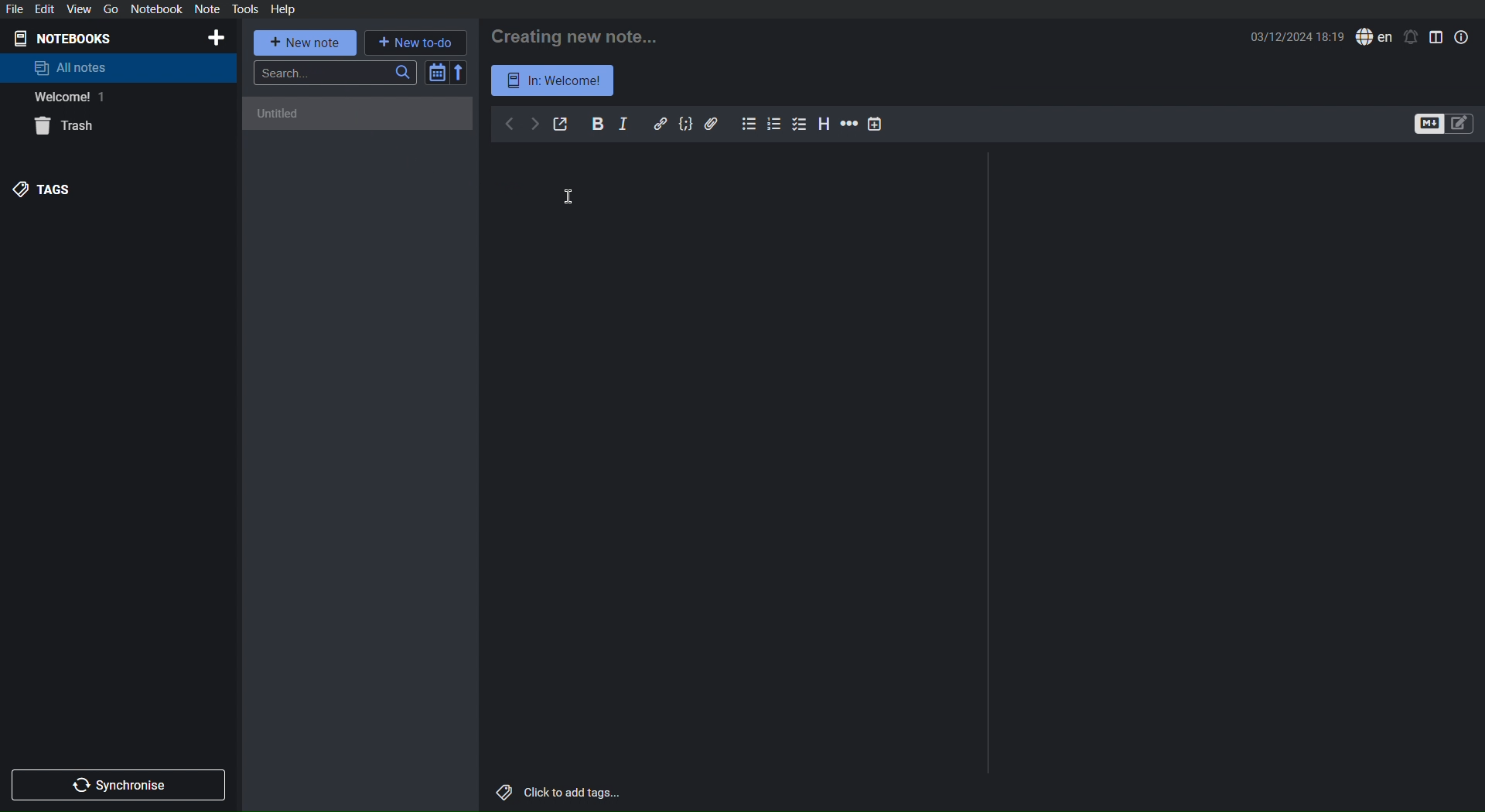  I want to click on In: Welcome!, so click(554, 80).